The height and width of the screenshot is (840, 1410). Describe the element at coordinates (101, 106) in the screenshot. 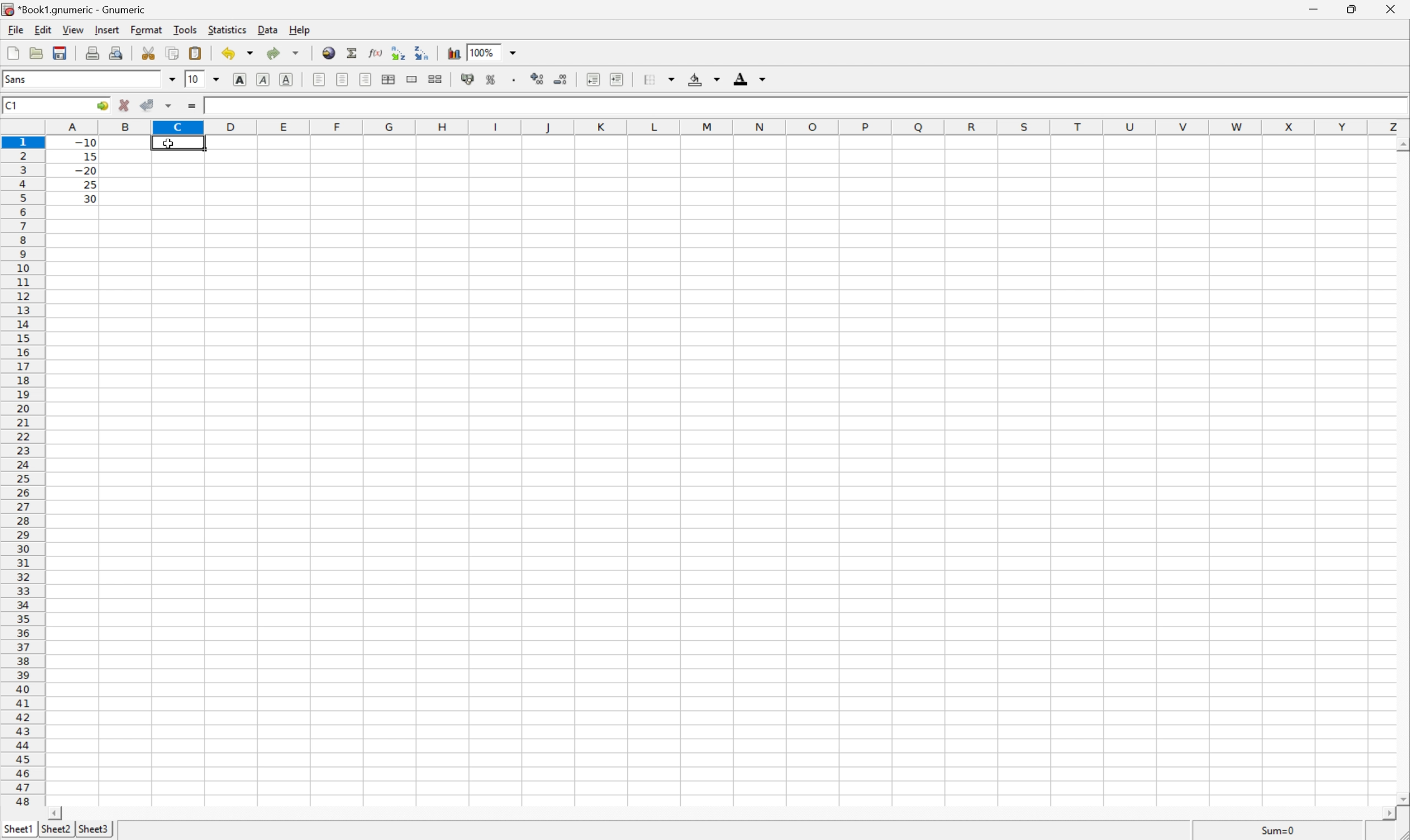

I see `Go to` at that location.